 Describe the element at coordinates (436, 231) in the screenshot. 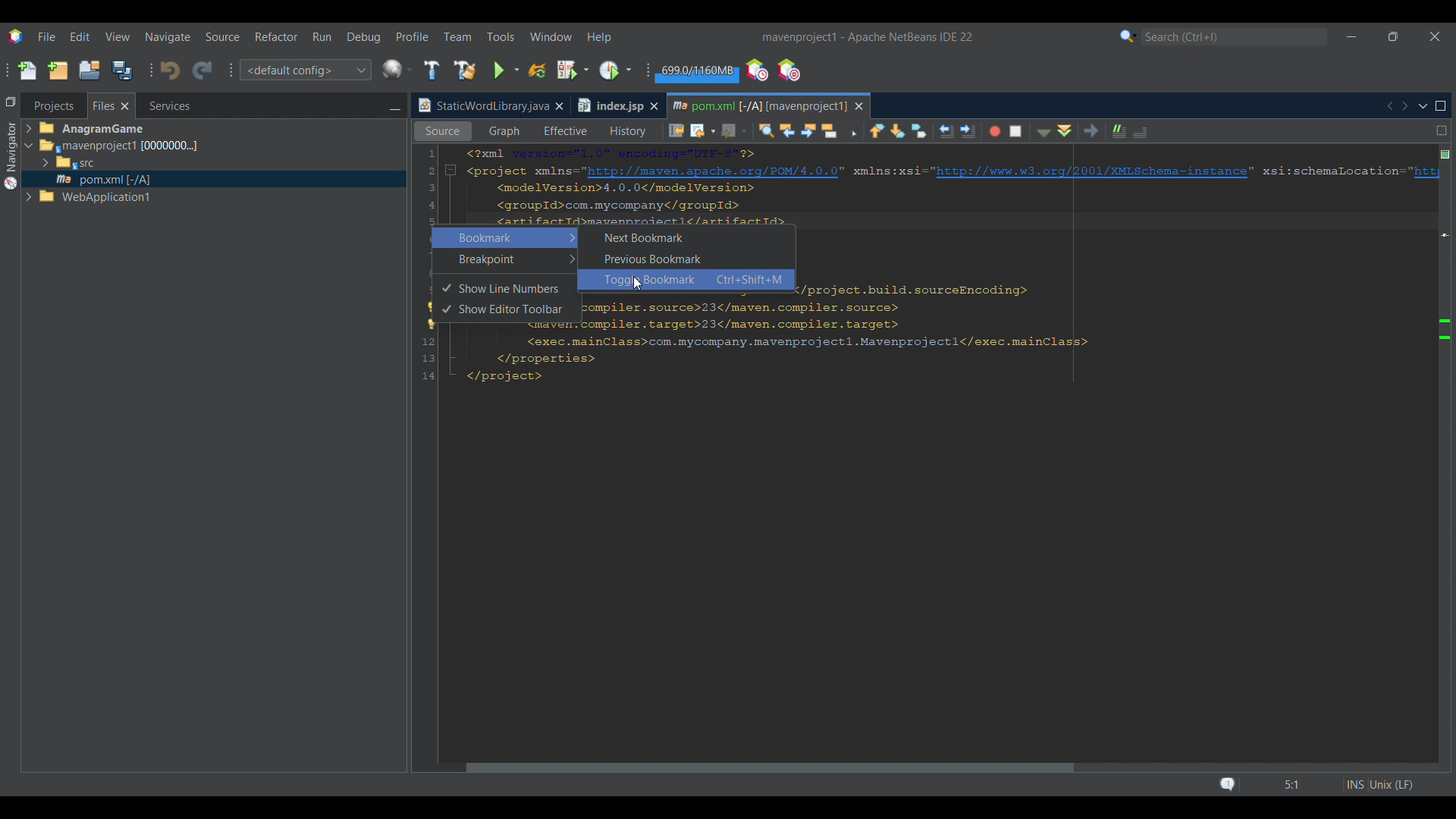

I see `Cursor right clicking ` at that location.